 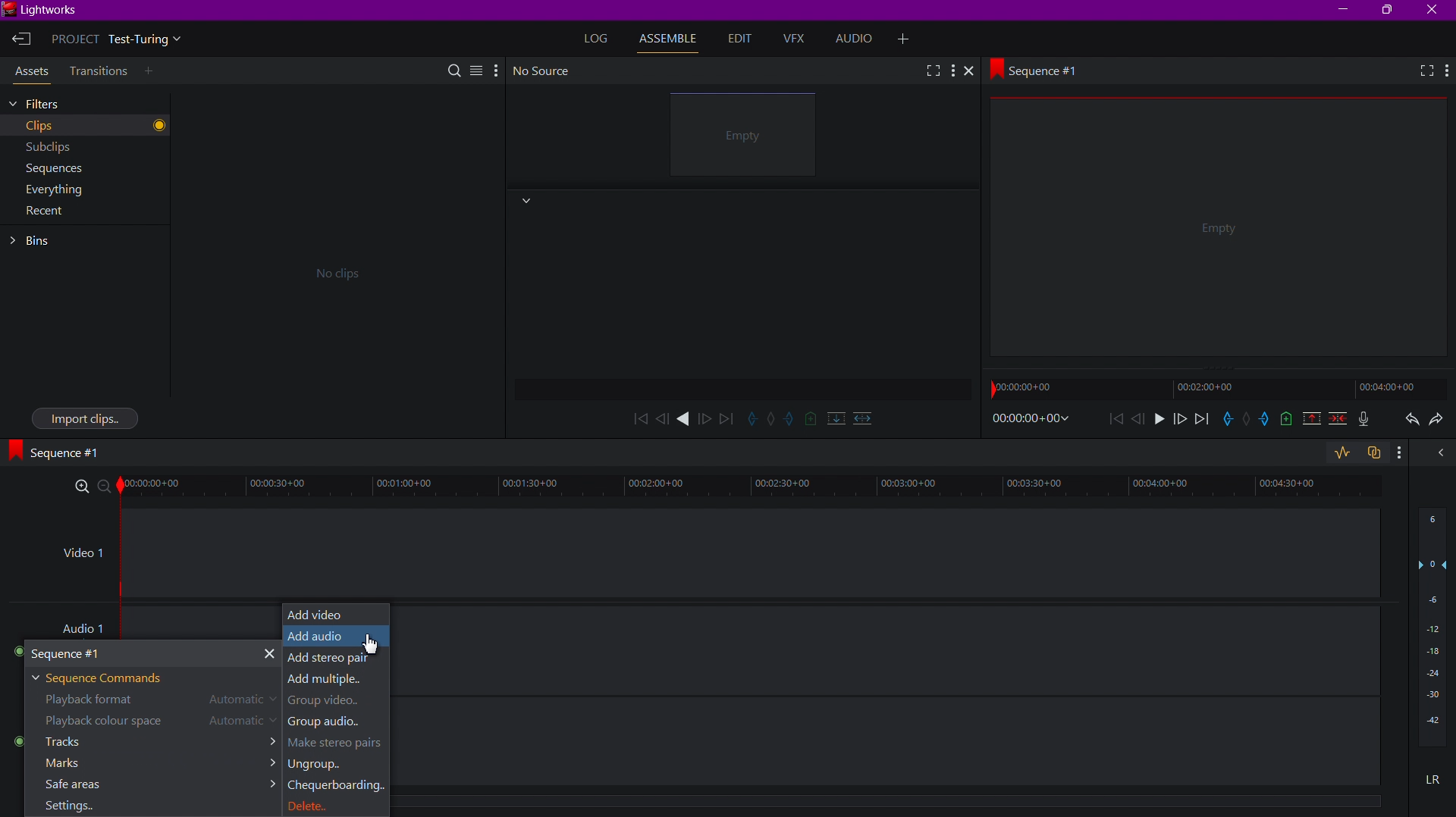 What do you see at coordinates (798, 39) in the screenshot?
I see `VFX` at bounding box center [798, 39].